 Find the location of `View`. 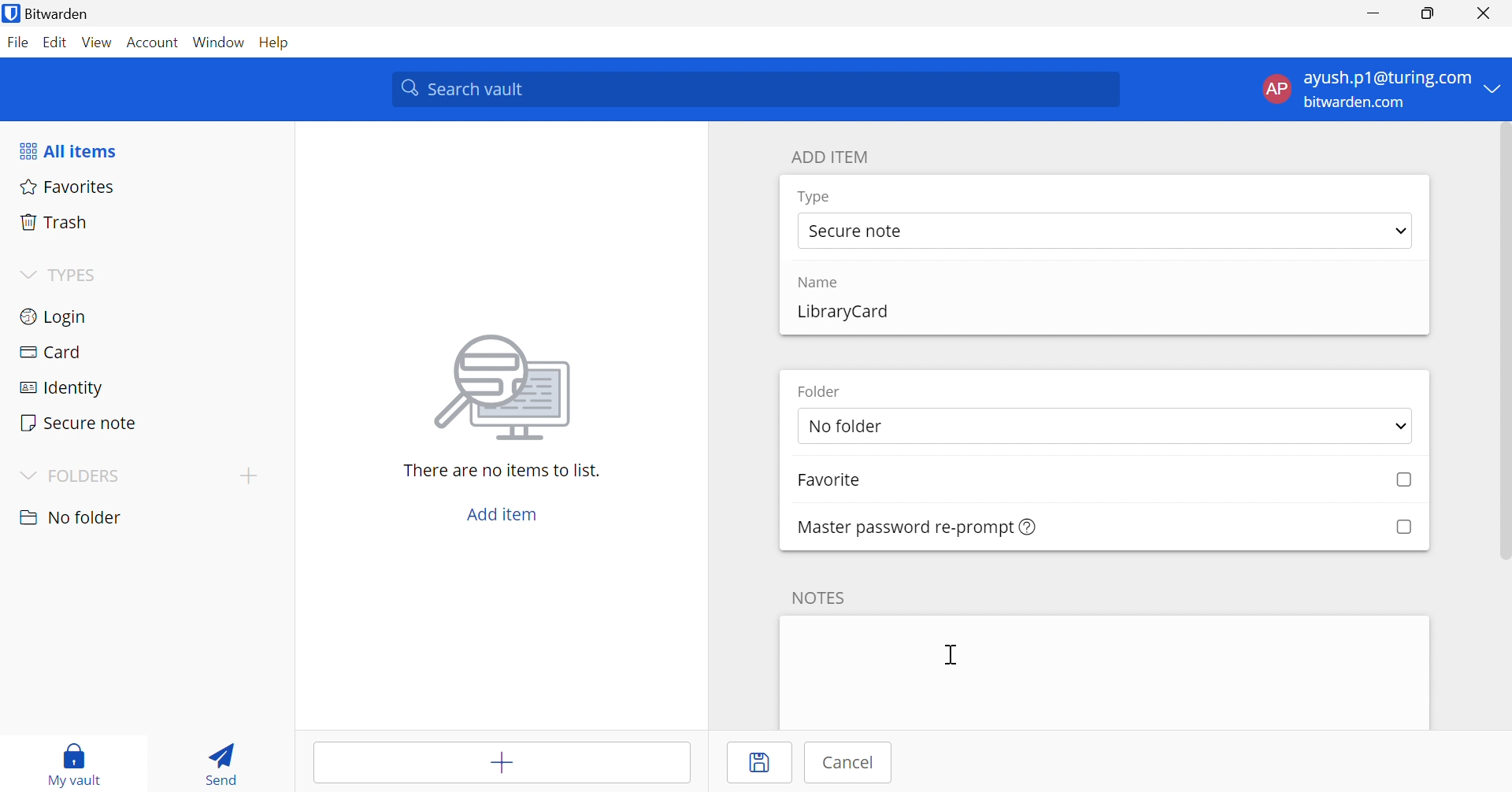

View is located at coordinates (98, 44).